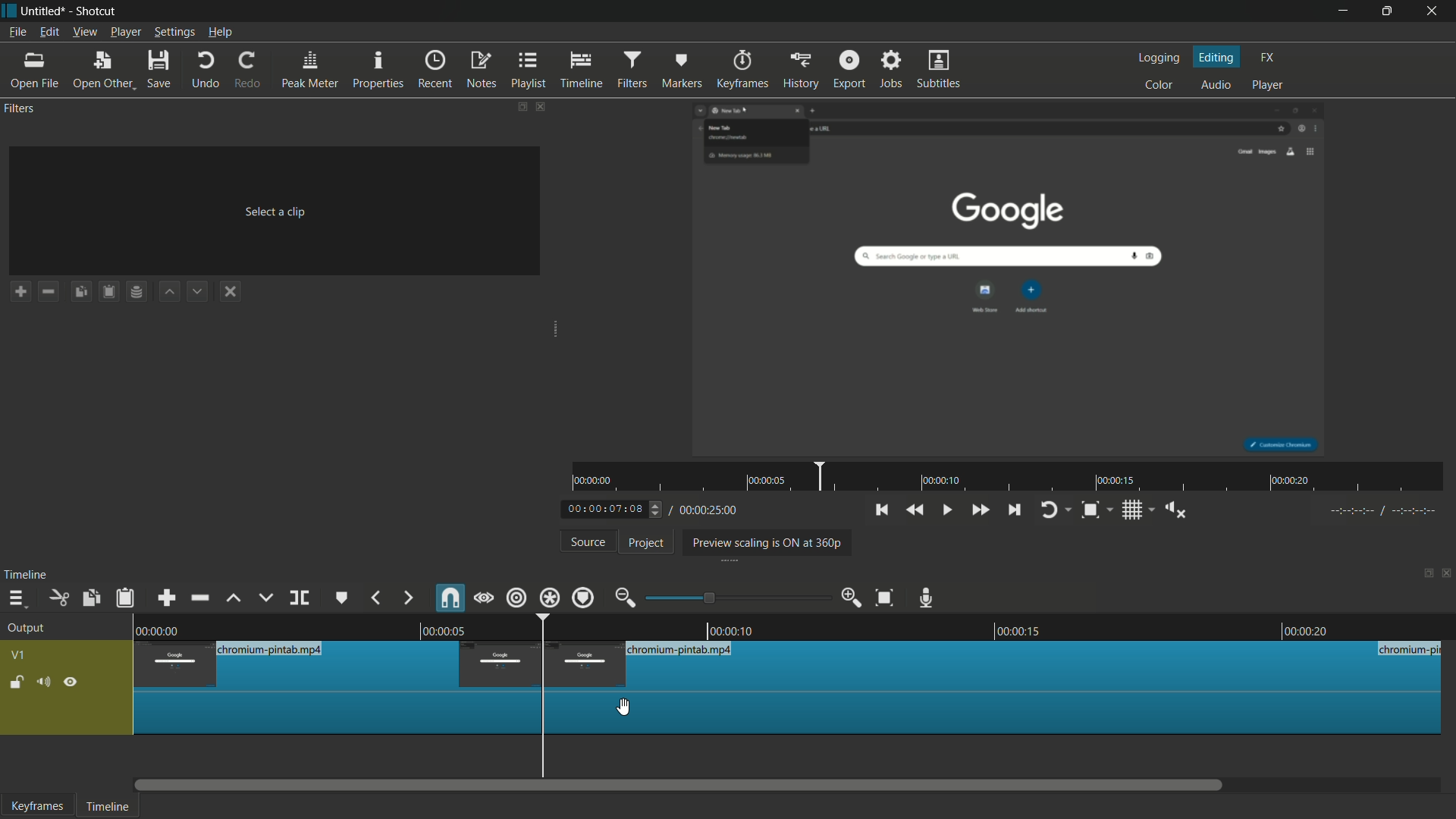 The image size is (1456, 819). Describe the element at coordinates (32, 70) in the screenshot. I see `open file` at that location.